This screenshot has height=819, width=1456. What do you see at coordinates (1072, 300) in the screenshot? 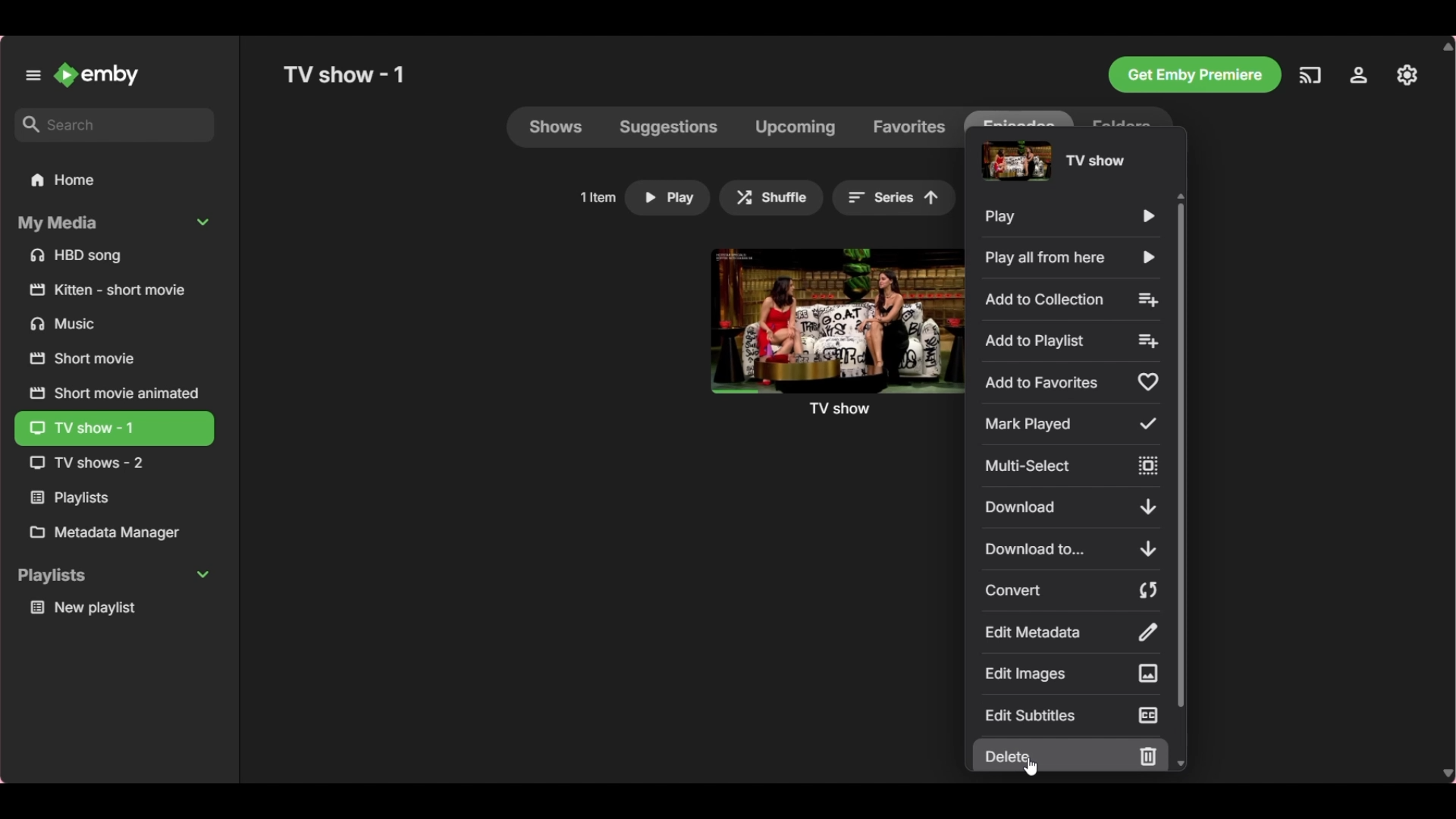
I see `Add to collection` at bounding box center [1072, 300].